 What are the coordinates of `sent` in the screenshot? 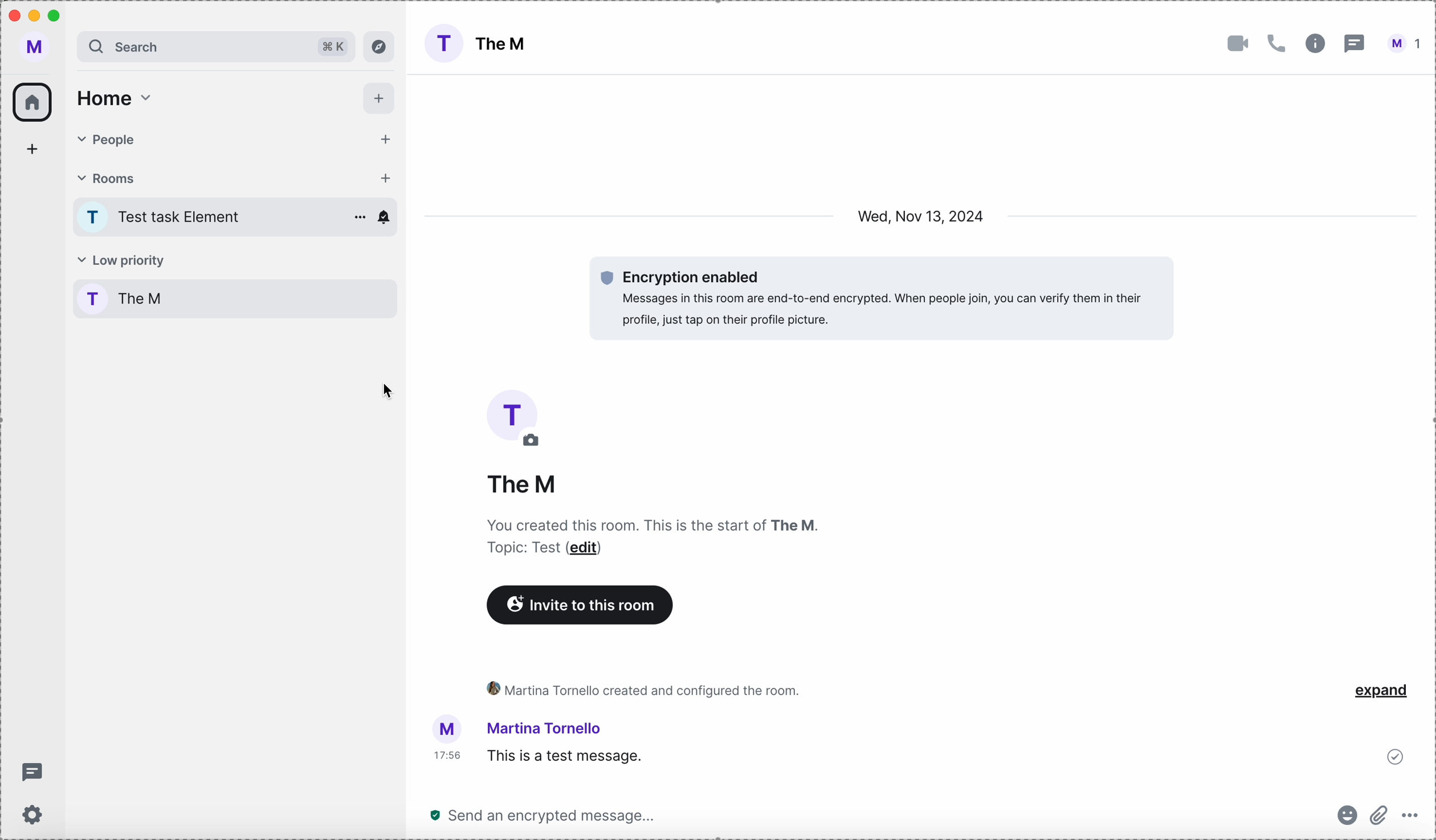 It's located at (1396, 754).